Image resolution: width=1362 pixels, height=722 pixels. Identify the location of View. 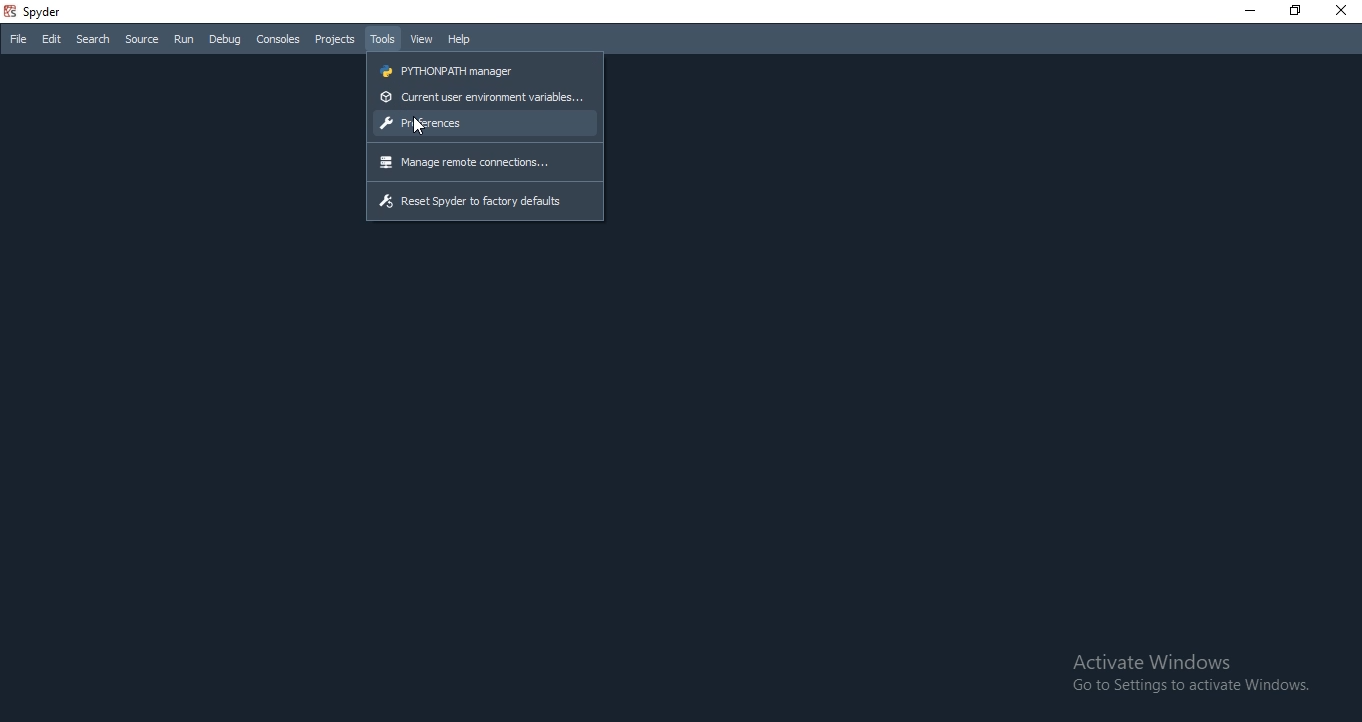
(420, 39).